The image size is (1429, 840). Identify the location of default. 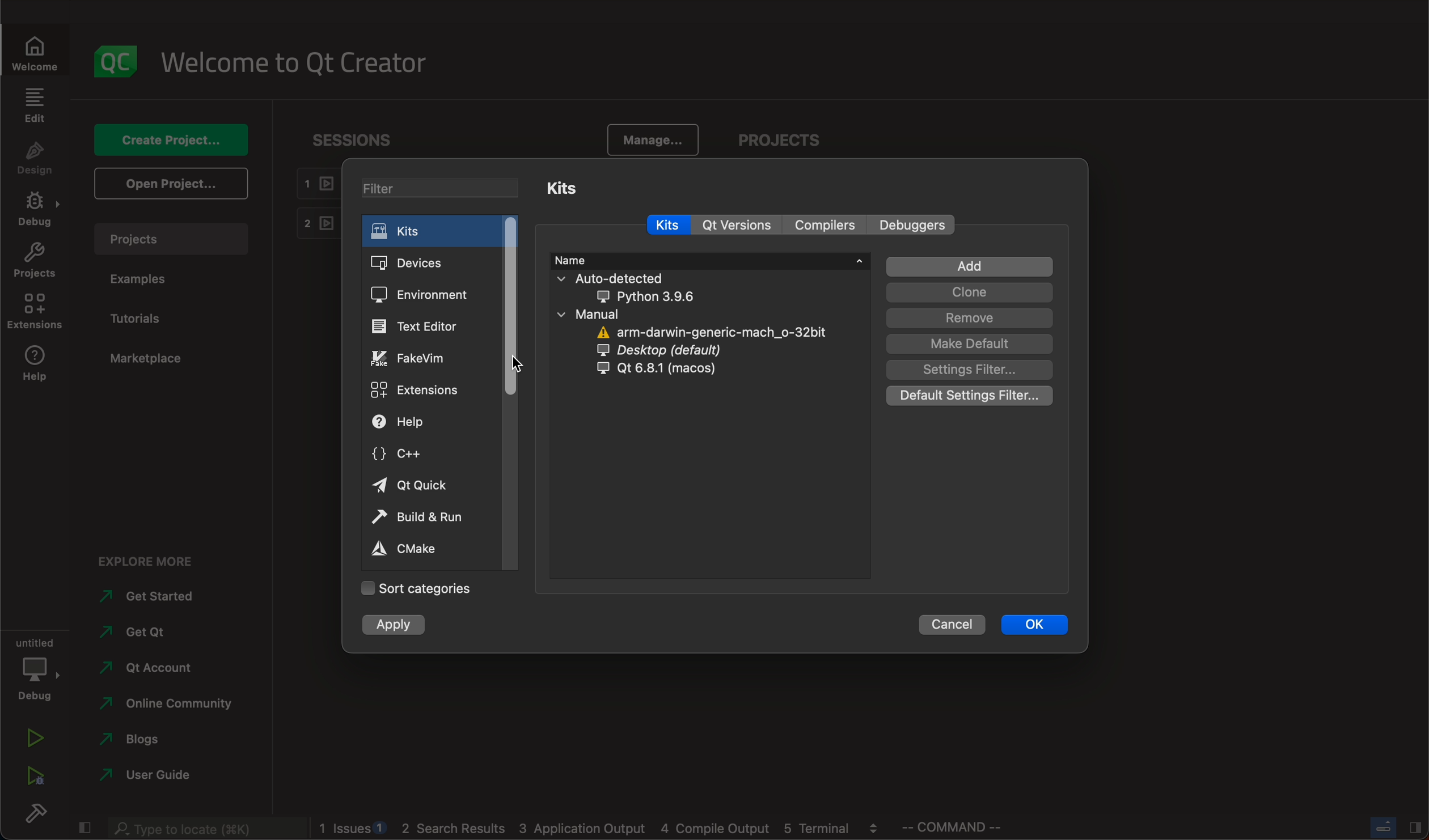
(970, 344).